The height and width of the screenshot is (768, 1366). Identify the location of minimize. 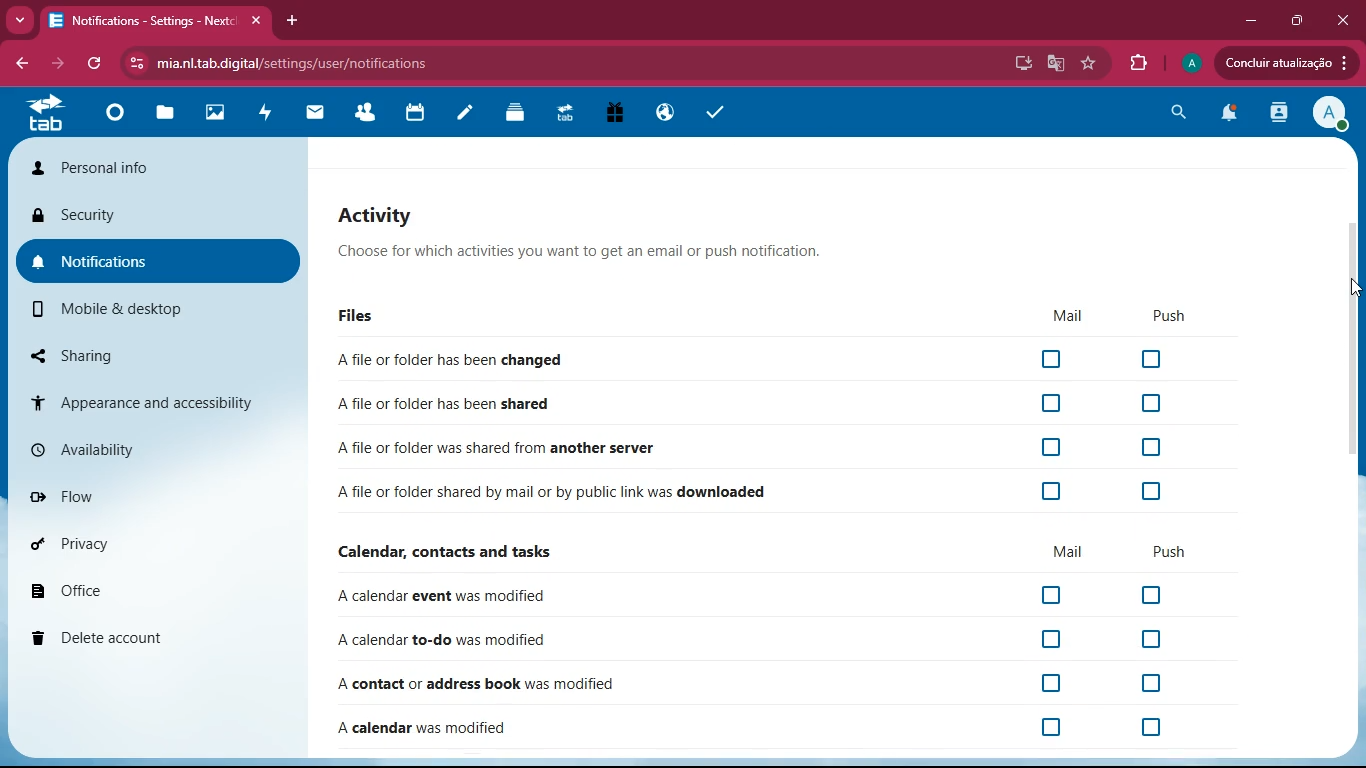
(1252, 20).